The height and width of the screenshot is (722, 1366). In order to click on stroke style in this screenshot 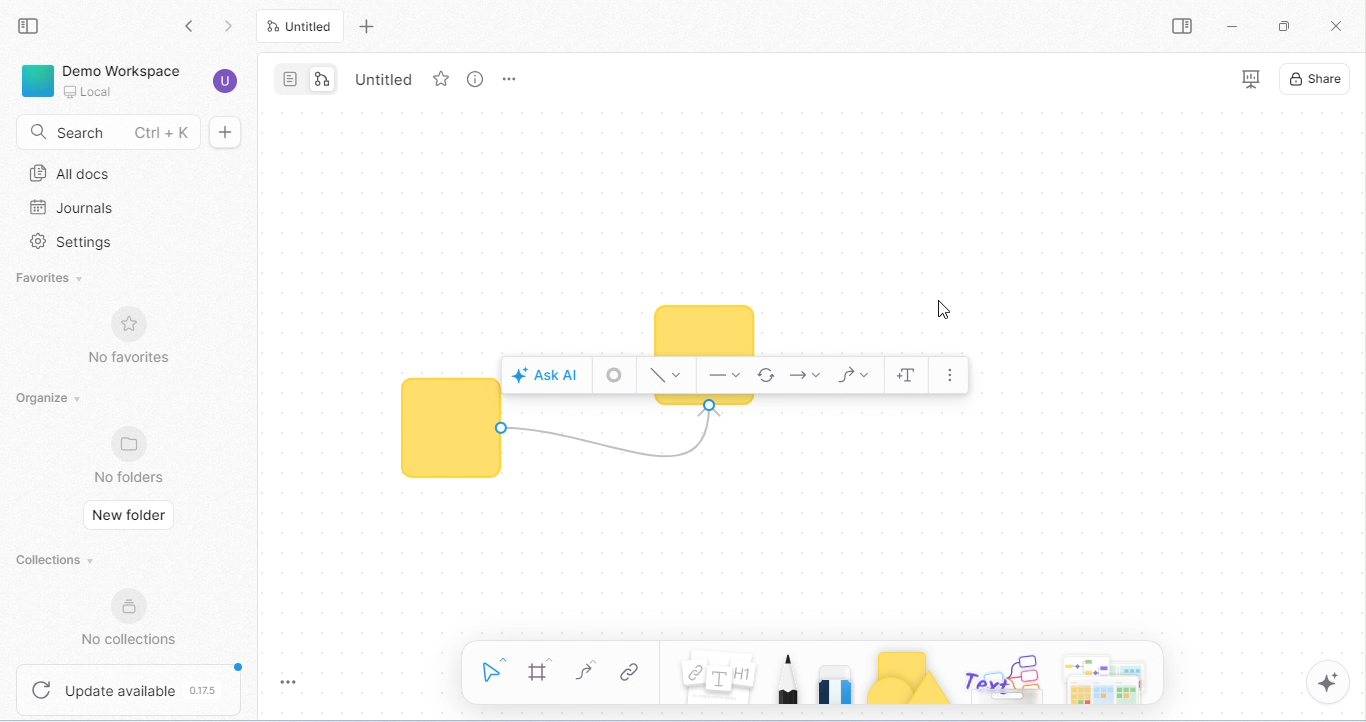, I will do `click(613, 376)`.